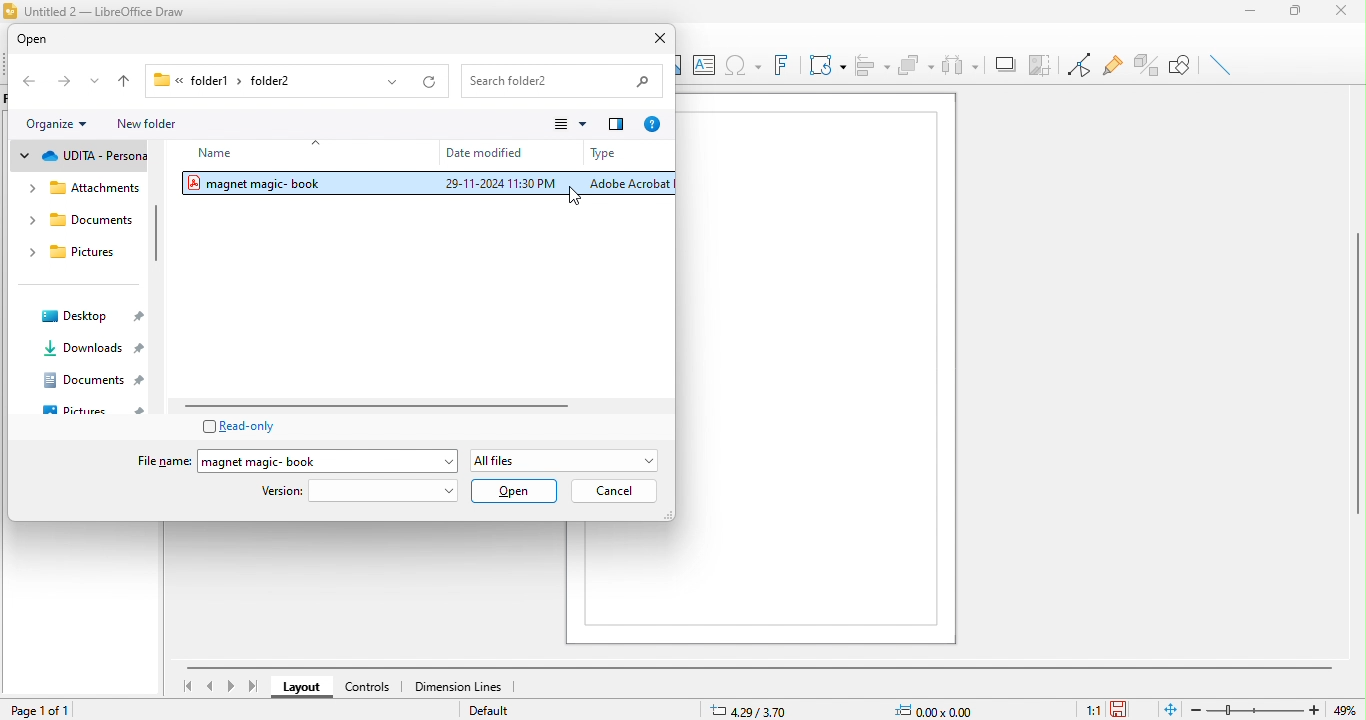  What do you see at coordinates (198, 81) in the screenshot?
I see `folder 1` at bounding box center [198, 81].